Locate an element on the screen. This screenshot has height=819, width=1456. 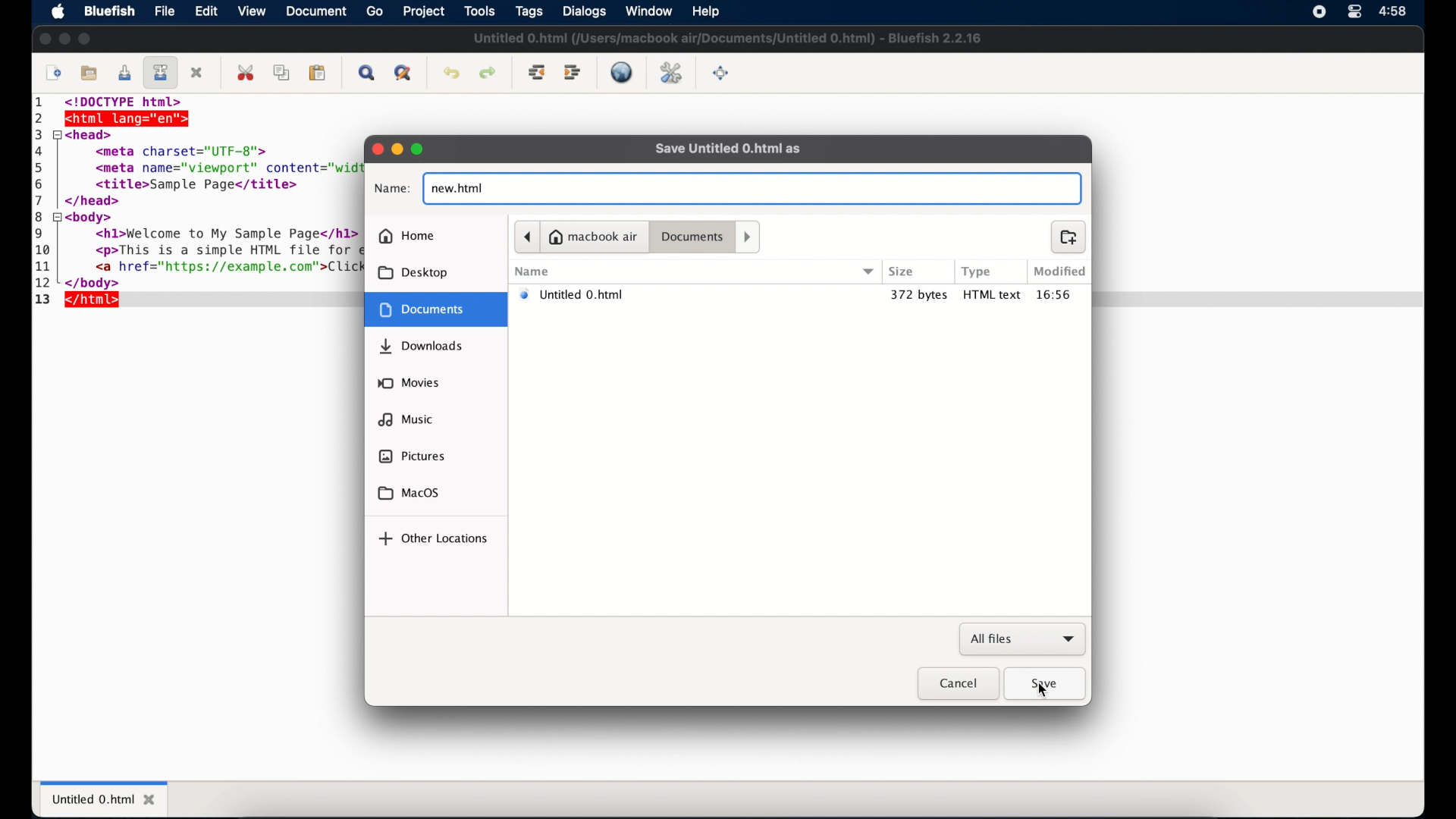
tools is located at coordinates (480, 11).